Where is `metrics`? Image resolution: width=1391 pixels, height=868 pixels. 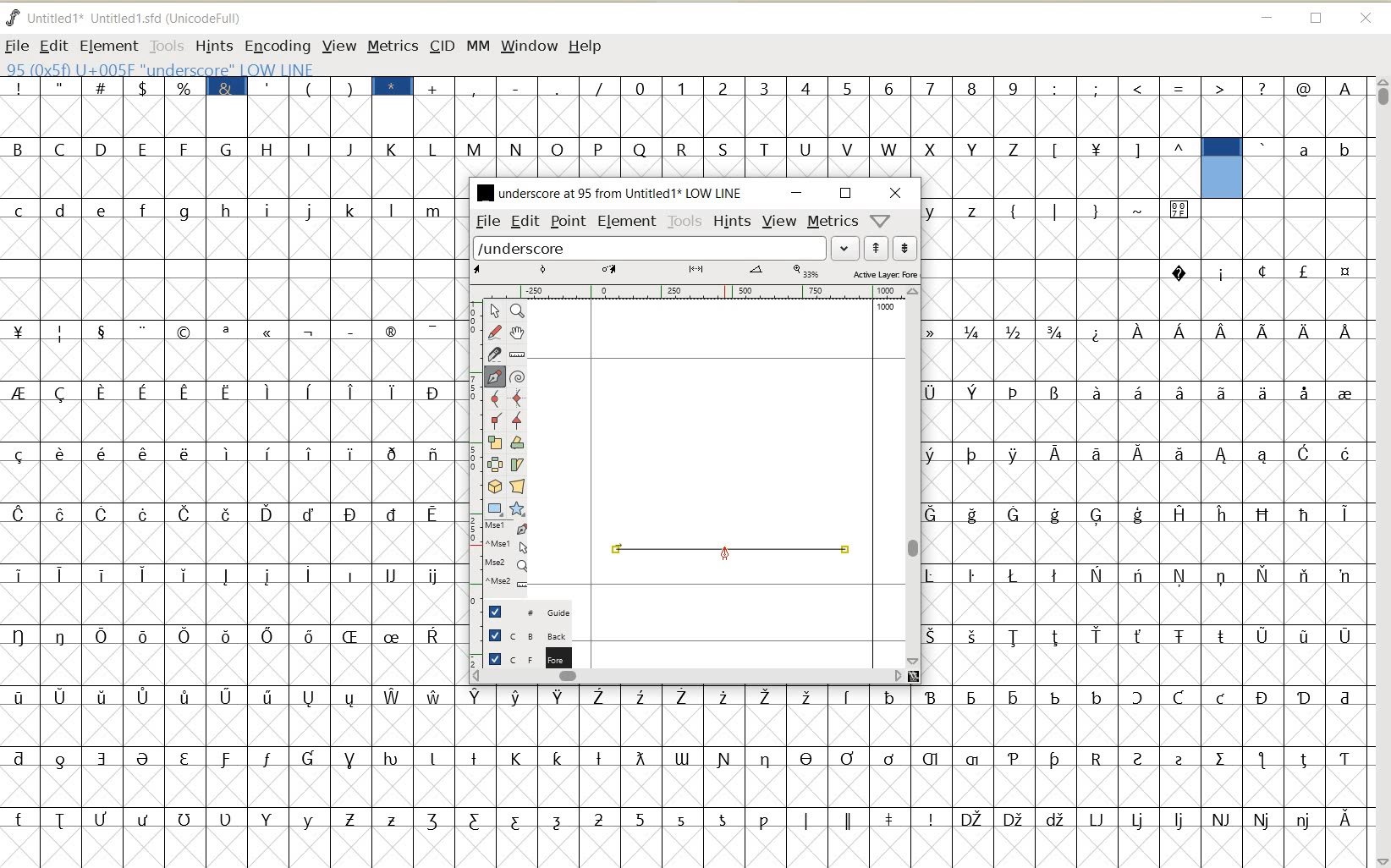
metrics is located at coordinates (832, 220).